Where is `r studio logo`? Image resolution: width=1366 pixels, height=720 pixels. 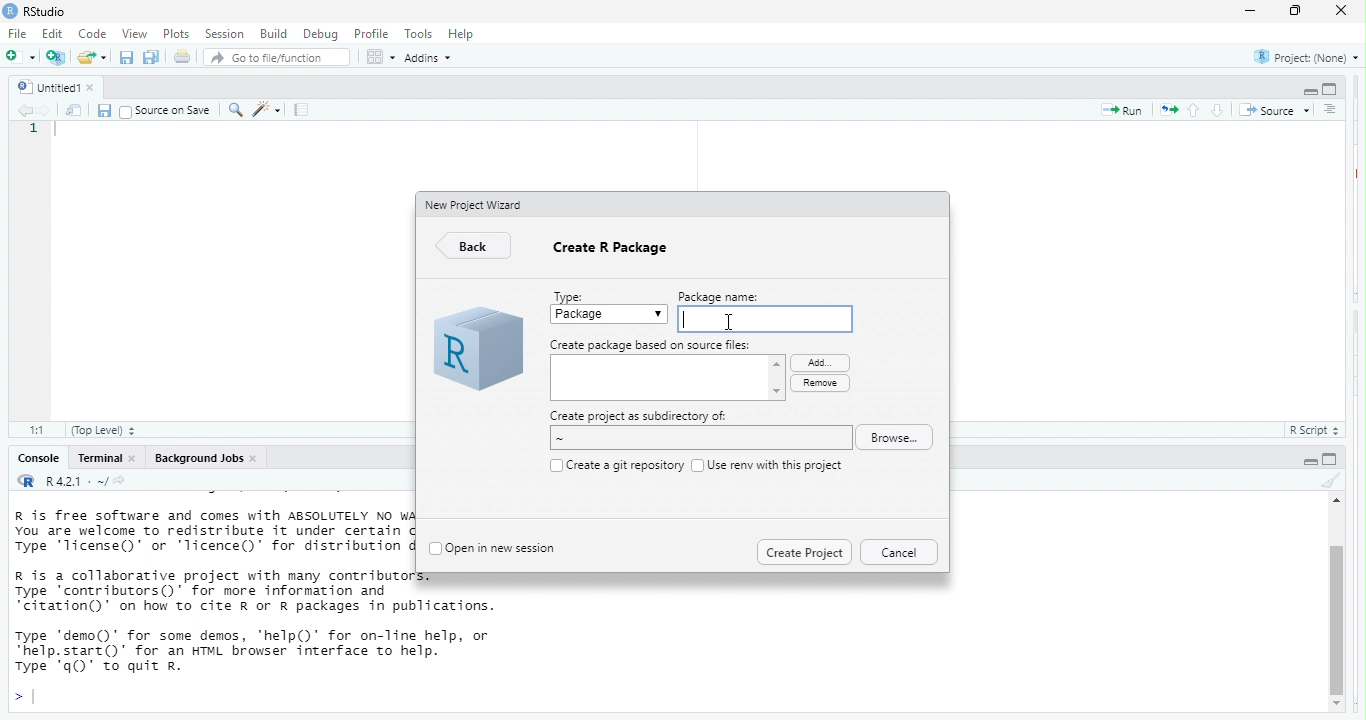
r studio logo is located at coordinates (9, 11).